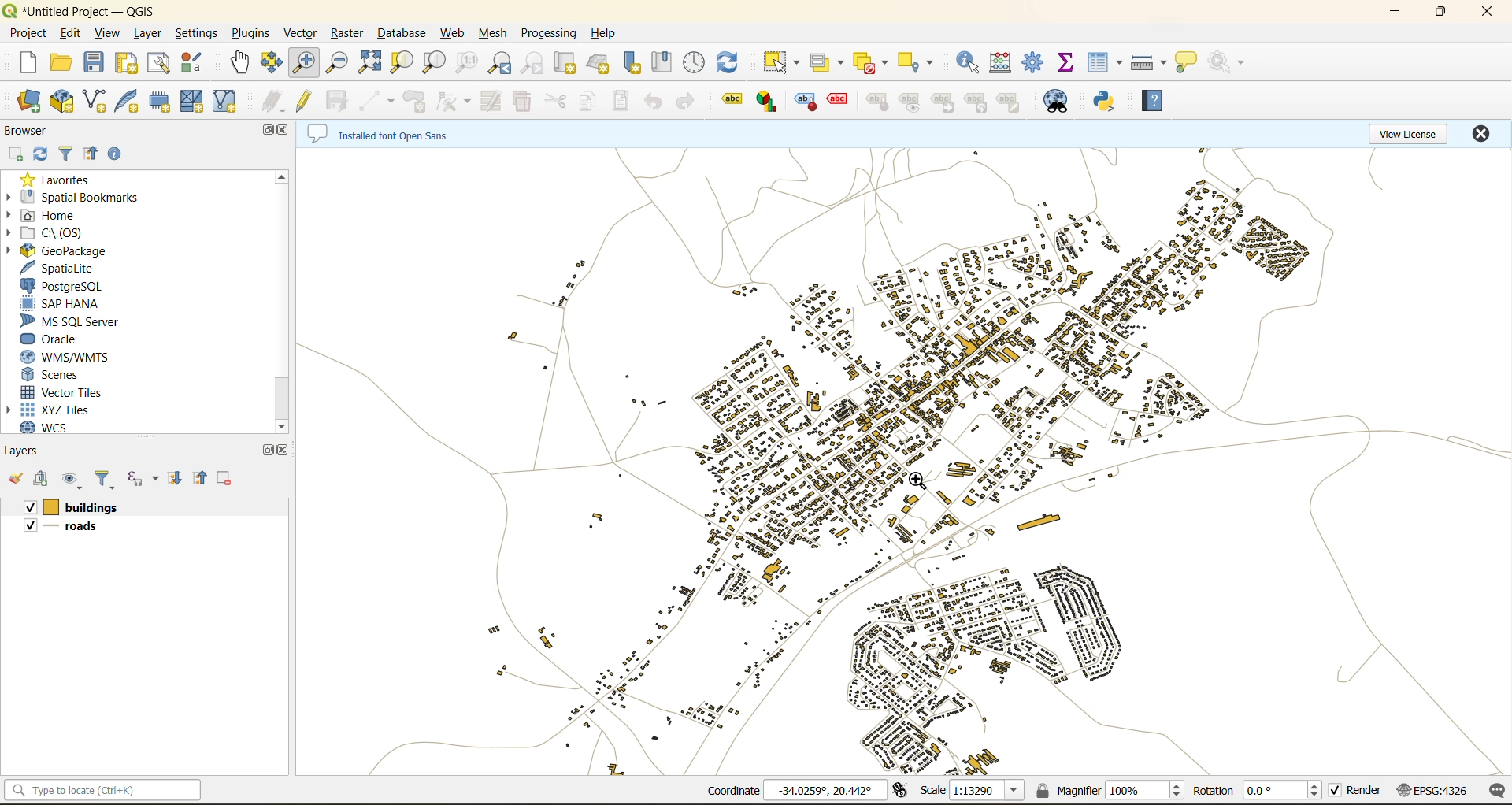 The image size is (1512, 805). What do you see at coordinates (194, 103) in the screenshot?
I see `new mesh layer` at bounding box center [194, 103].